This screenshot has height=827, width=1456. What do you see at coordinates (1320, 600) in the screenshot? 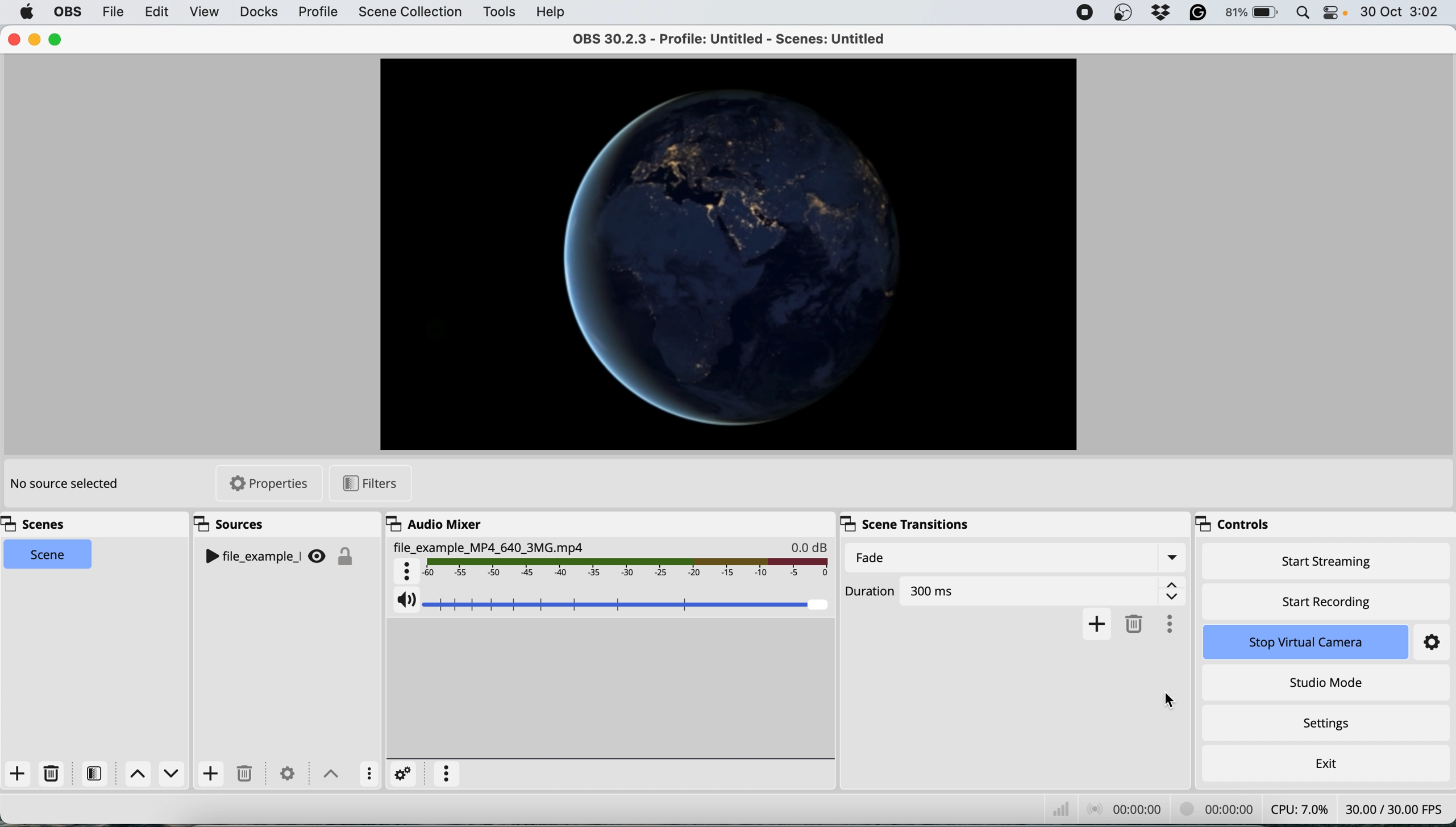
I see `start recording` at bounding box center [1320, 600].